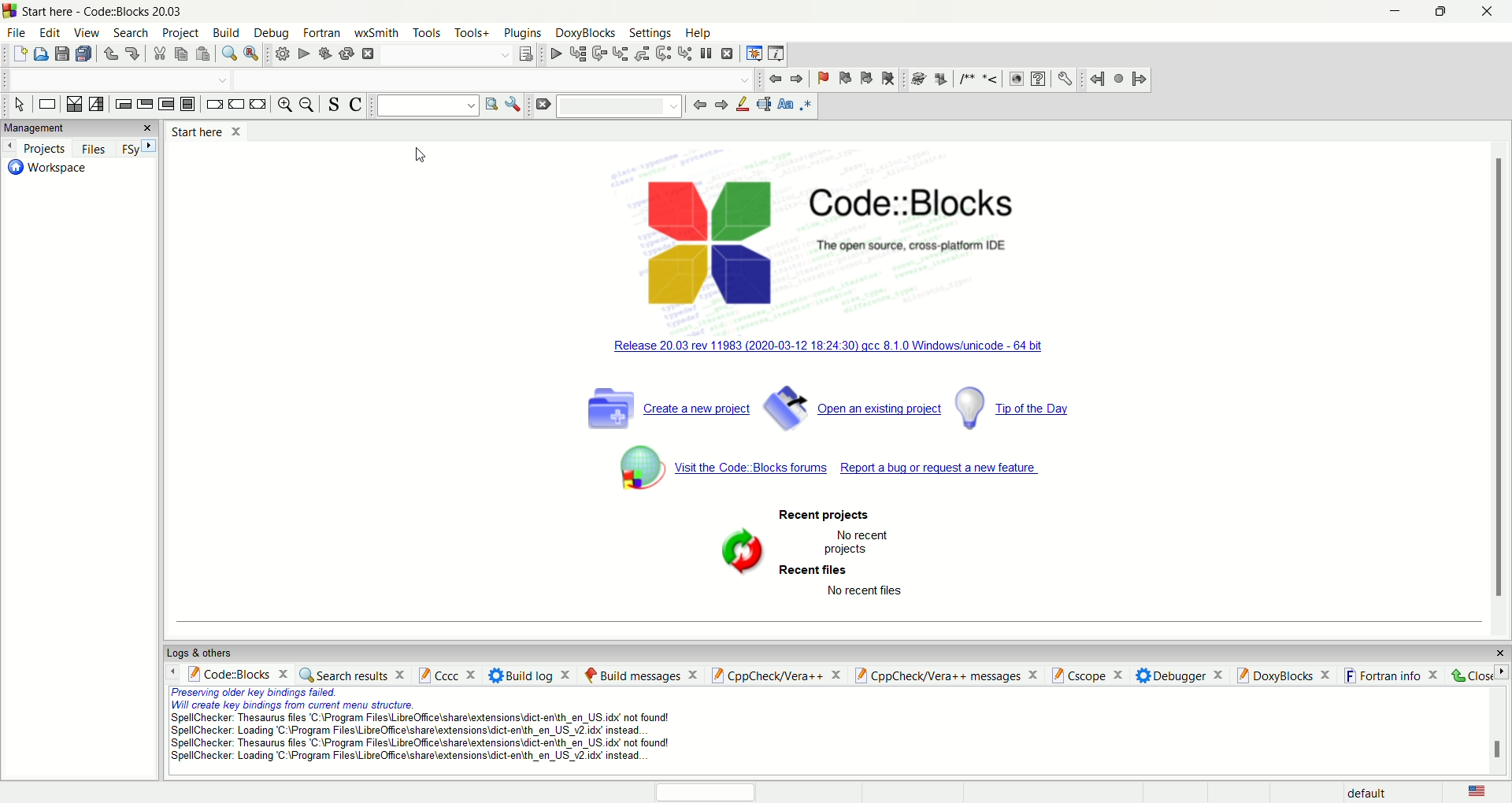 The height and width of the screenshot is (803, 1512). Describe the element at coordinates (166, 105) in the screenshot. I see `counting loop` at that location.